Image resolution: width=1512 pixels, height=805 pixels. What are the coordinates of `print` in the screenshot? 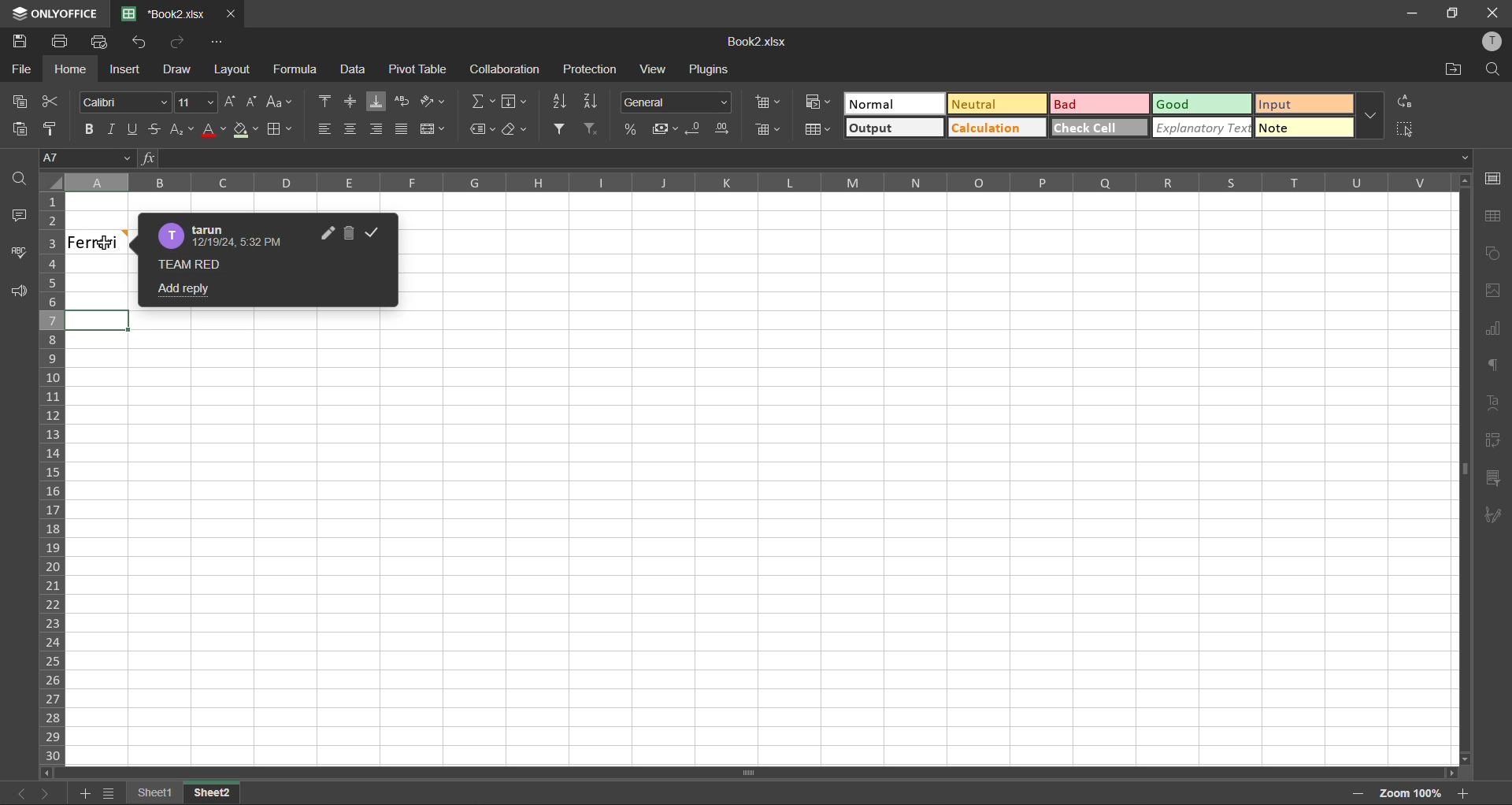 It's located at (63, 44).